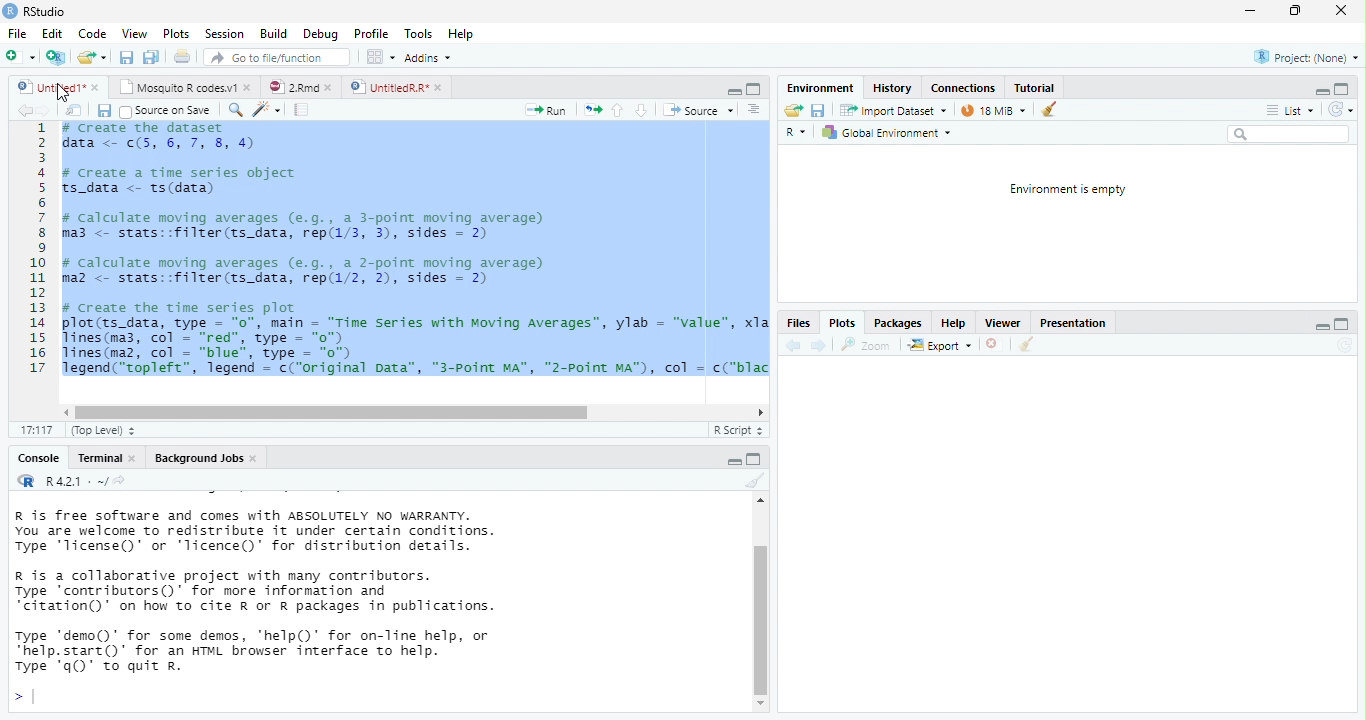 This screenshot has width=1366, height=720. What do you see at coordinates (898, 323) in the screenshot?
I see `Packages` at bounding box center [898, 323].